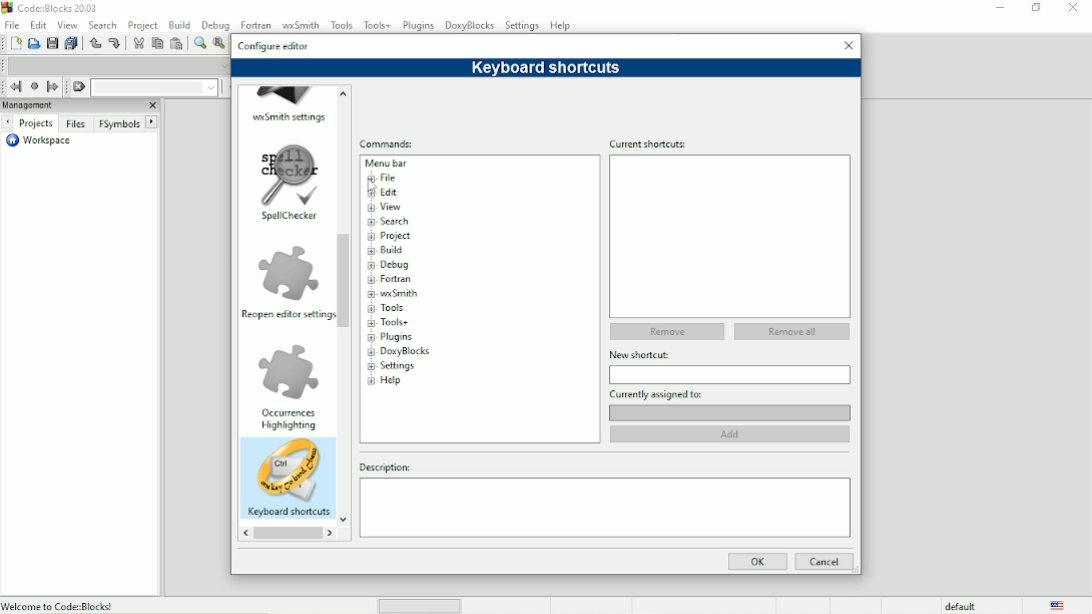 The height and width of the screenshot is (614, 1092). I want to click on Minimize, so click(996, 8).